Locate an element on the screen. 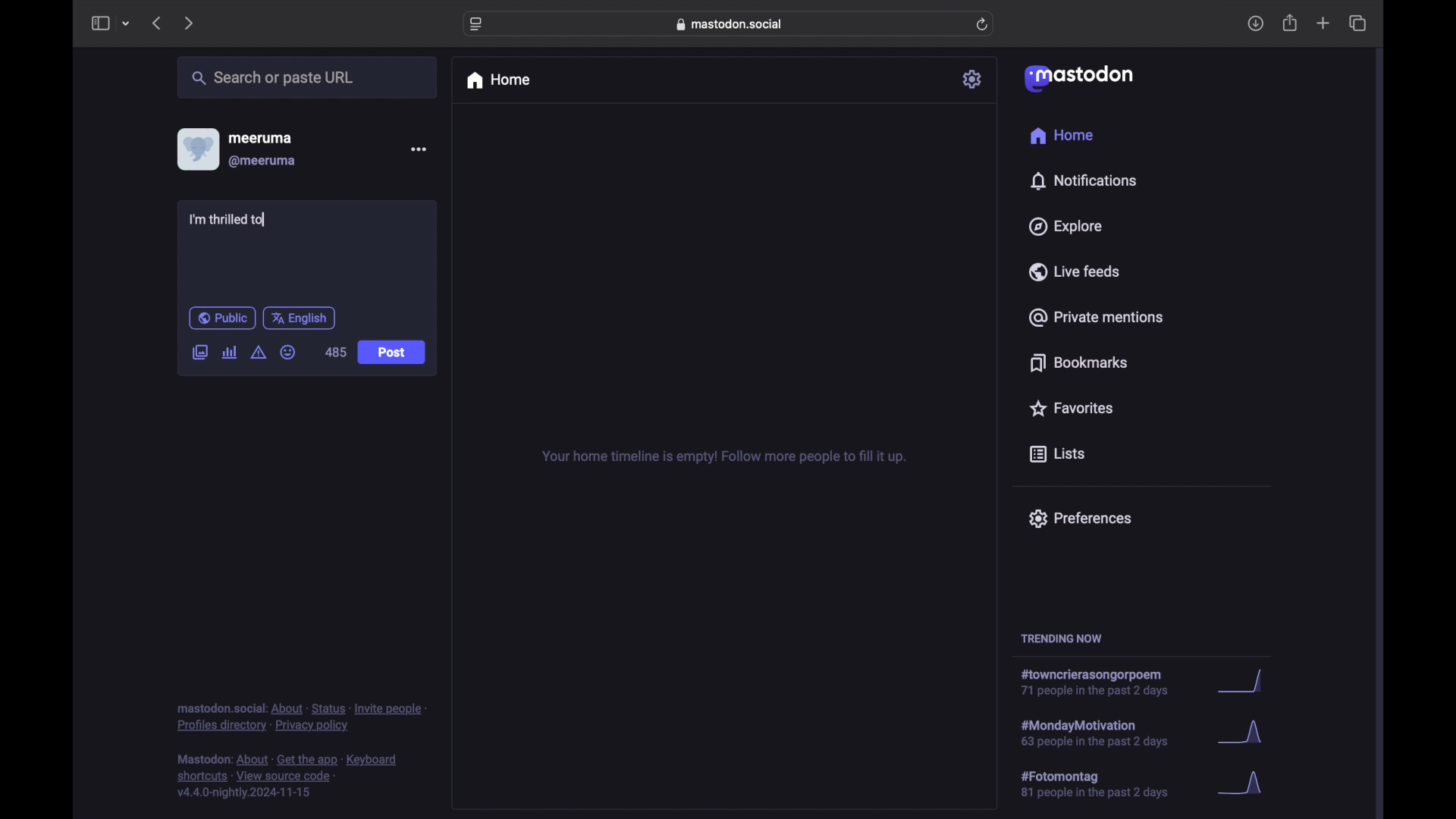  485 is located at coordinates (336, 352).